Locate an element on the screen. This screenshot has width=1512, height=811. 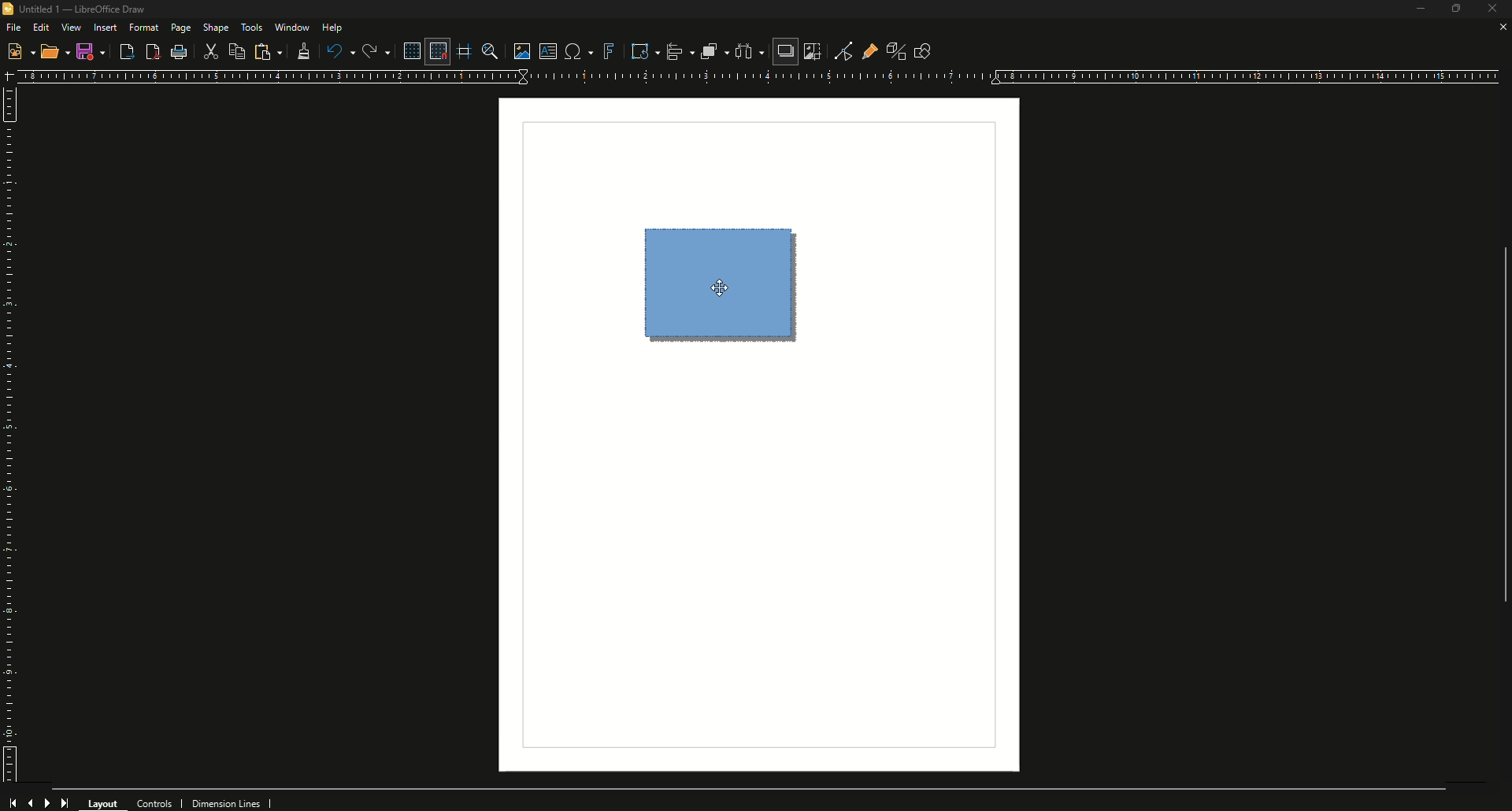
Open is located at coordinates (55, 54).